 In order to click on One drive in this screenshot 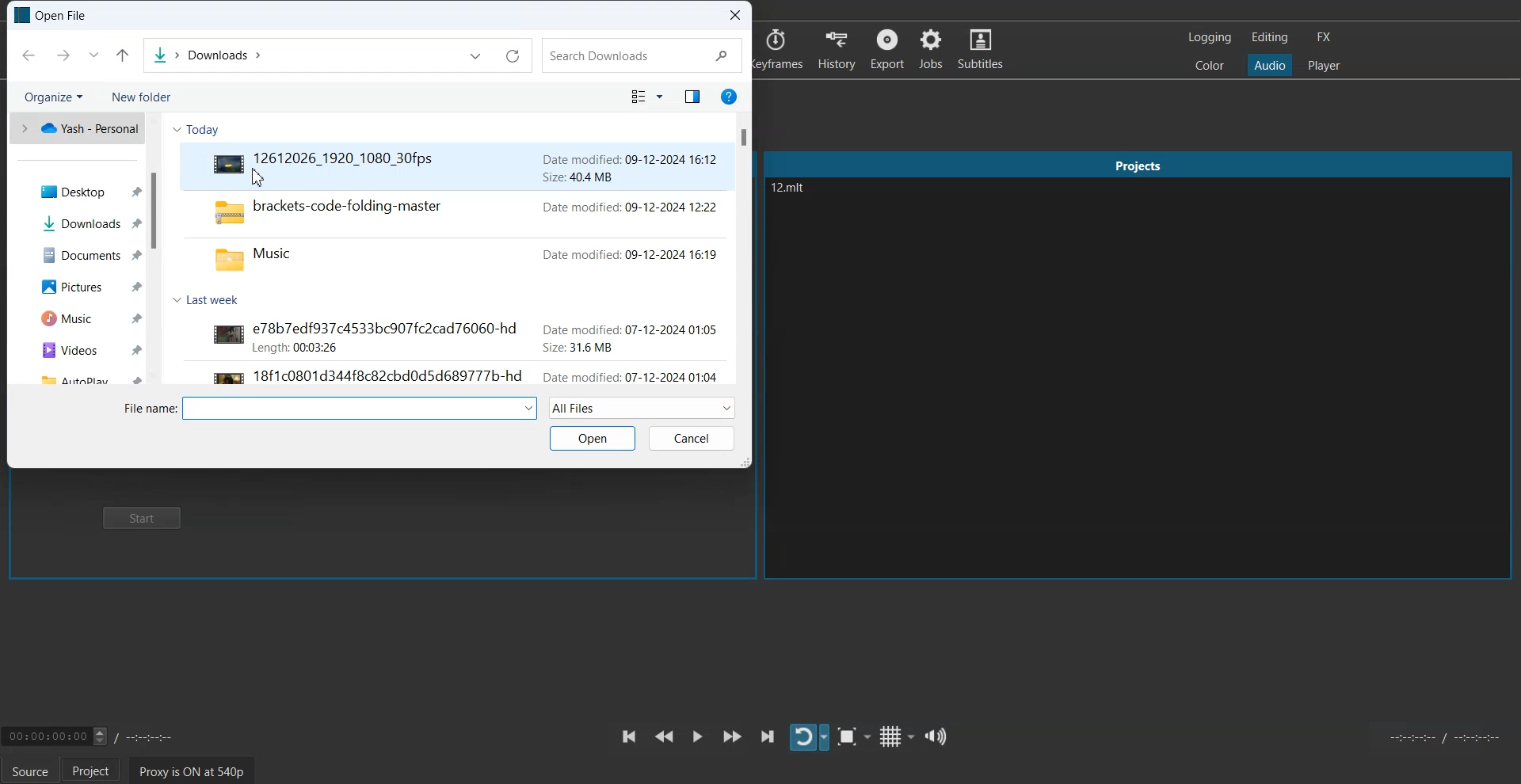, I will do `click(77, 128)`.